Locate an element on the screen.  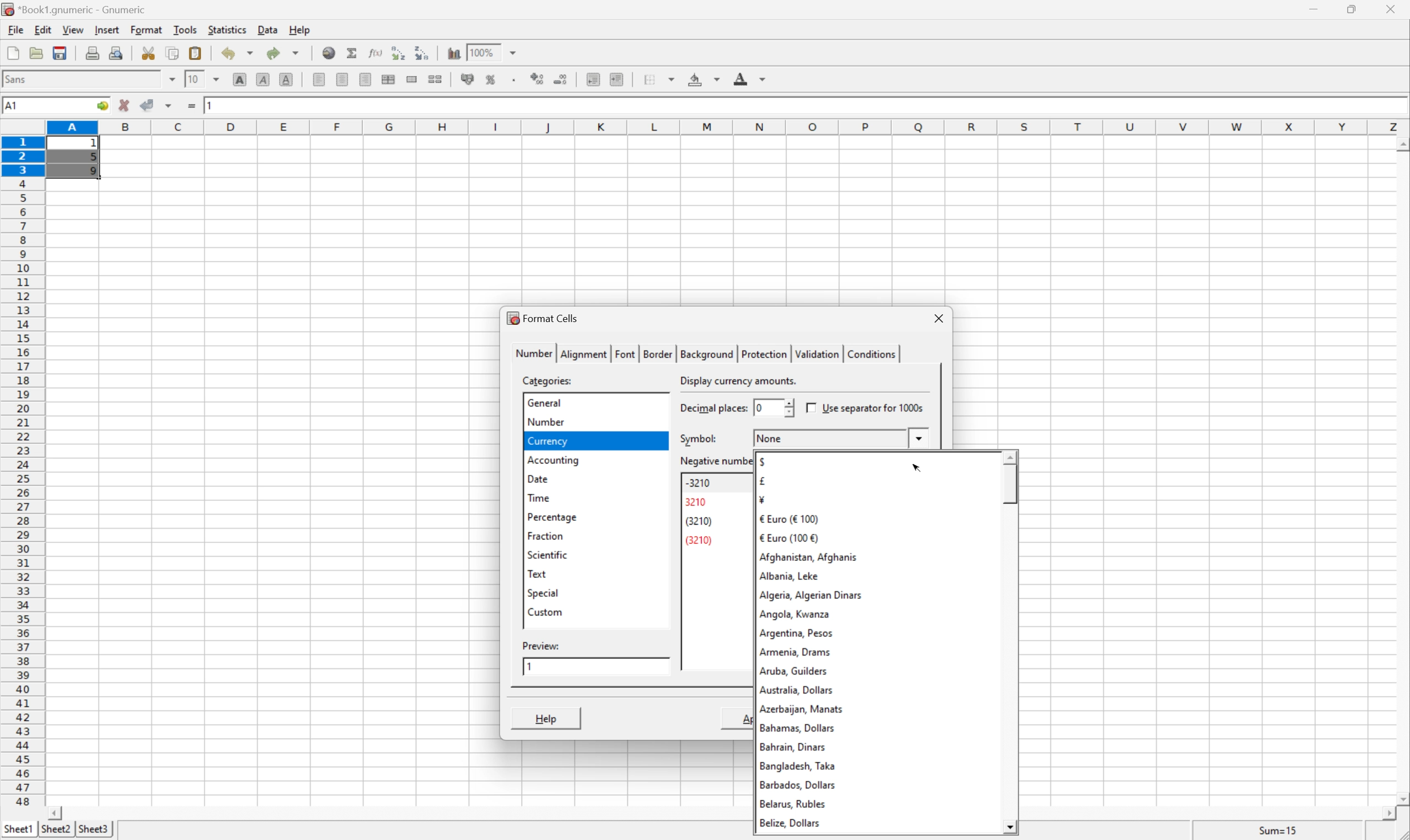
A1 is located at coordinates (14, 106).